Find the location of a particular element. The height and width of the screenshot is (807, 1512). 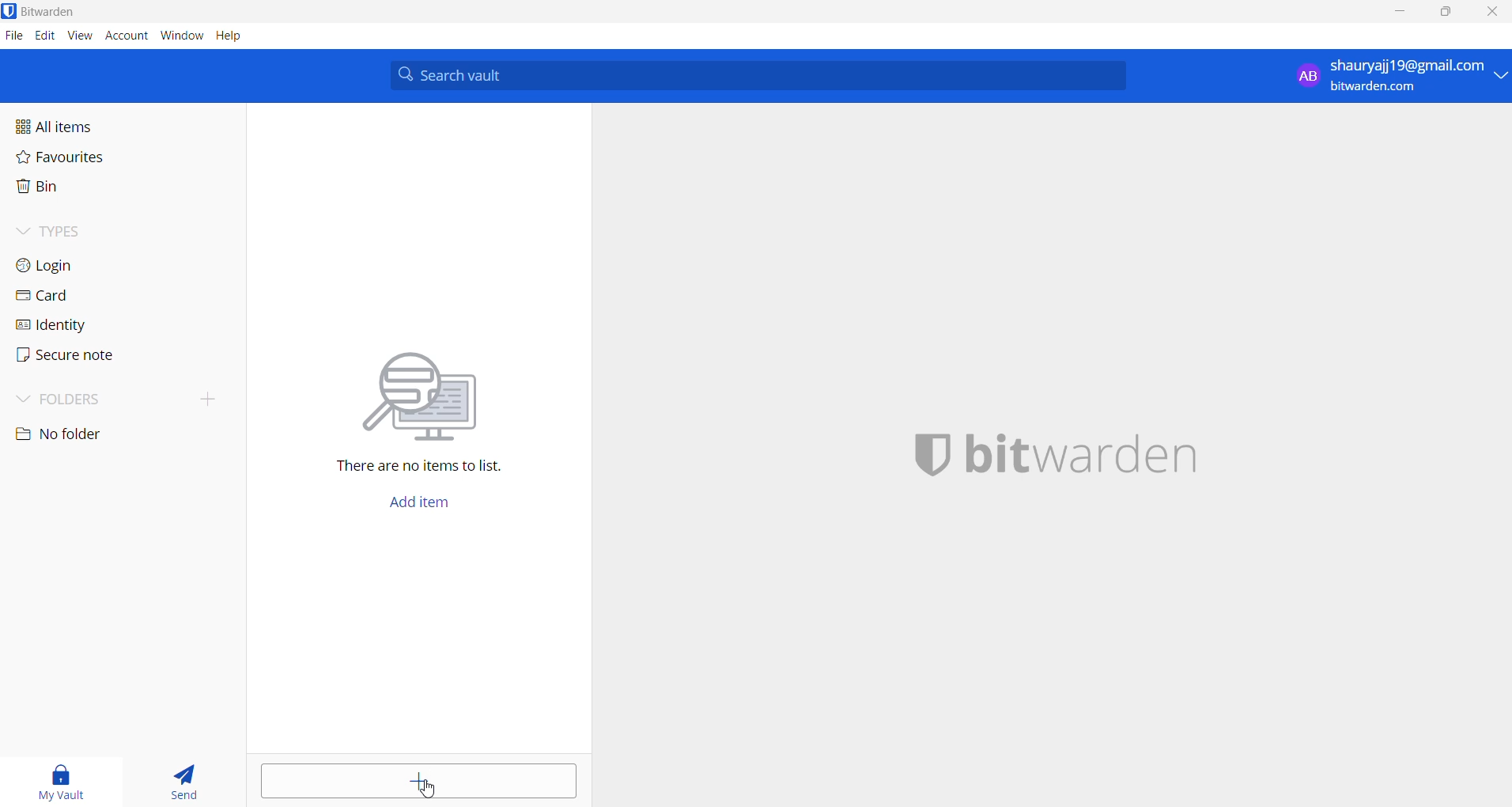

card is located at coordinates (89, 296).